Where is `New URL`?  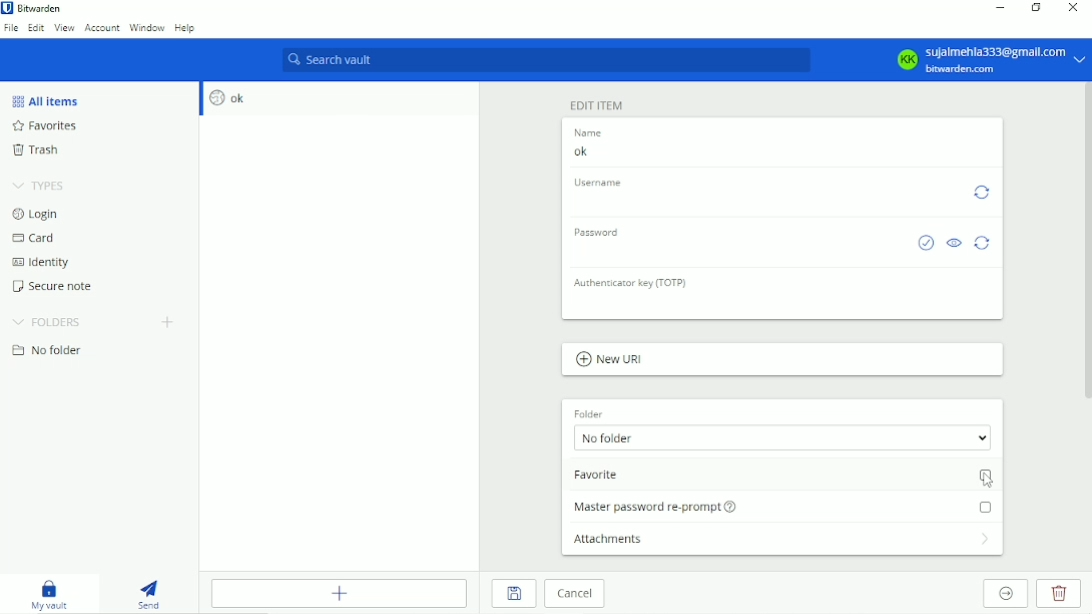 New URL is located at coordinates (616, 360).